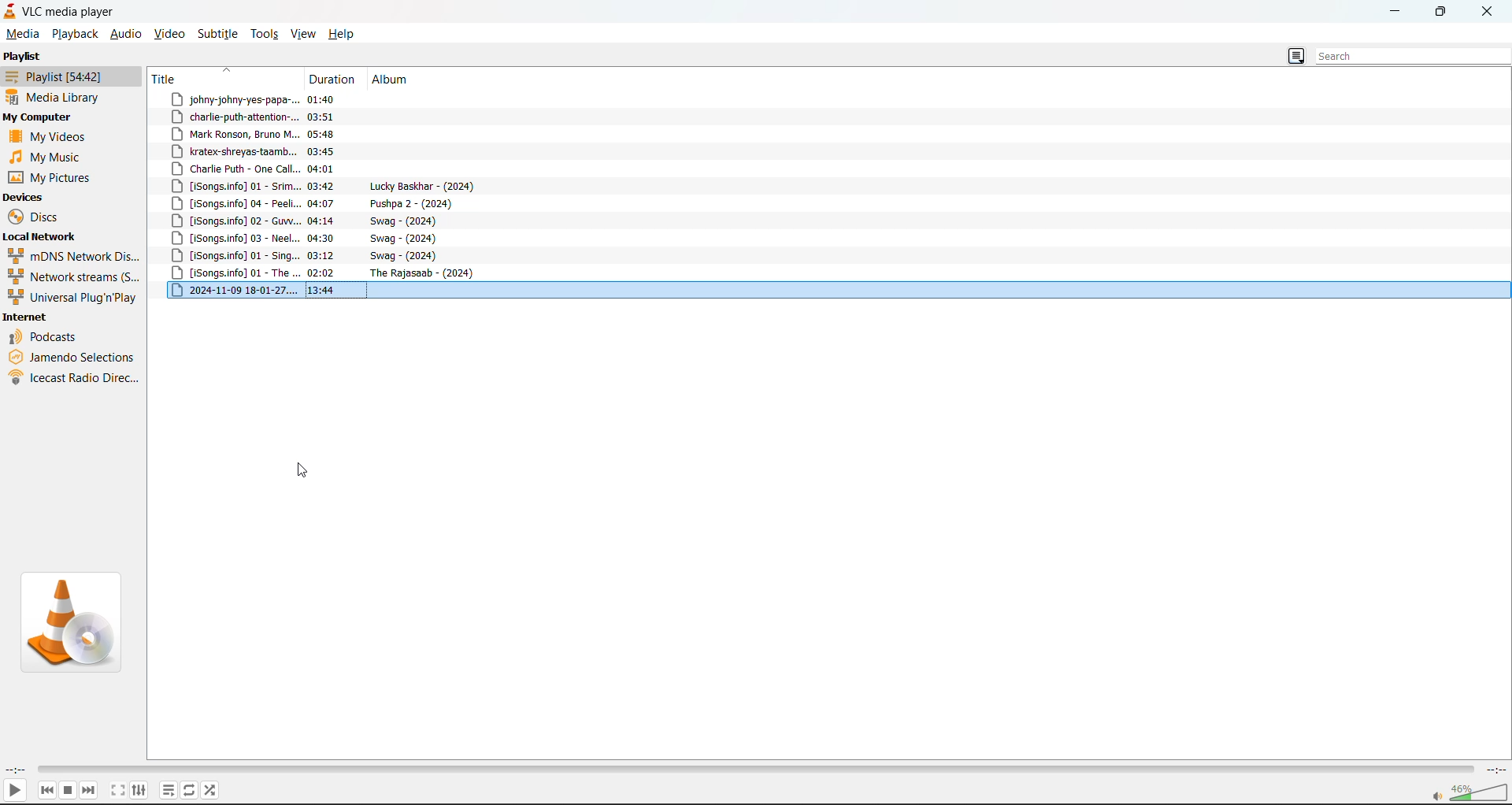  What do you see at coordinates (290, 169) in the screenshot?
I see `track 5 title, duration and album details` at bounding box center [290, 169].